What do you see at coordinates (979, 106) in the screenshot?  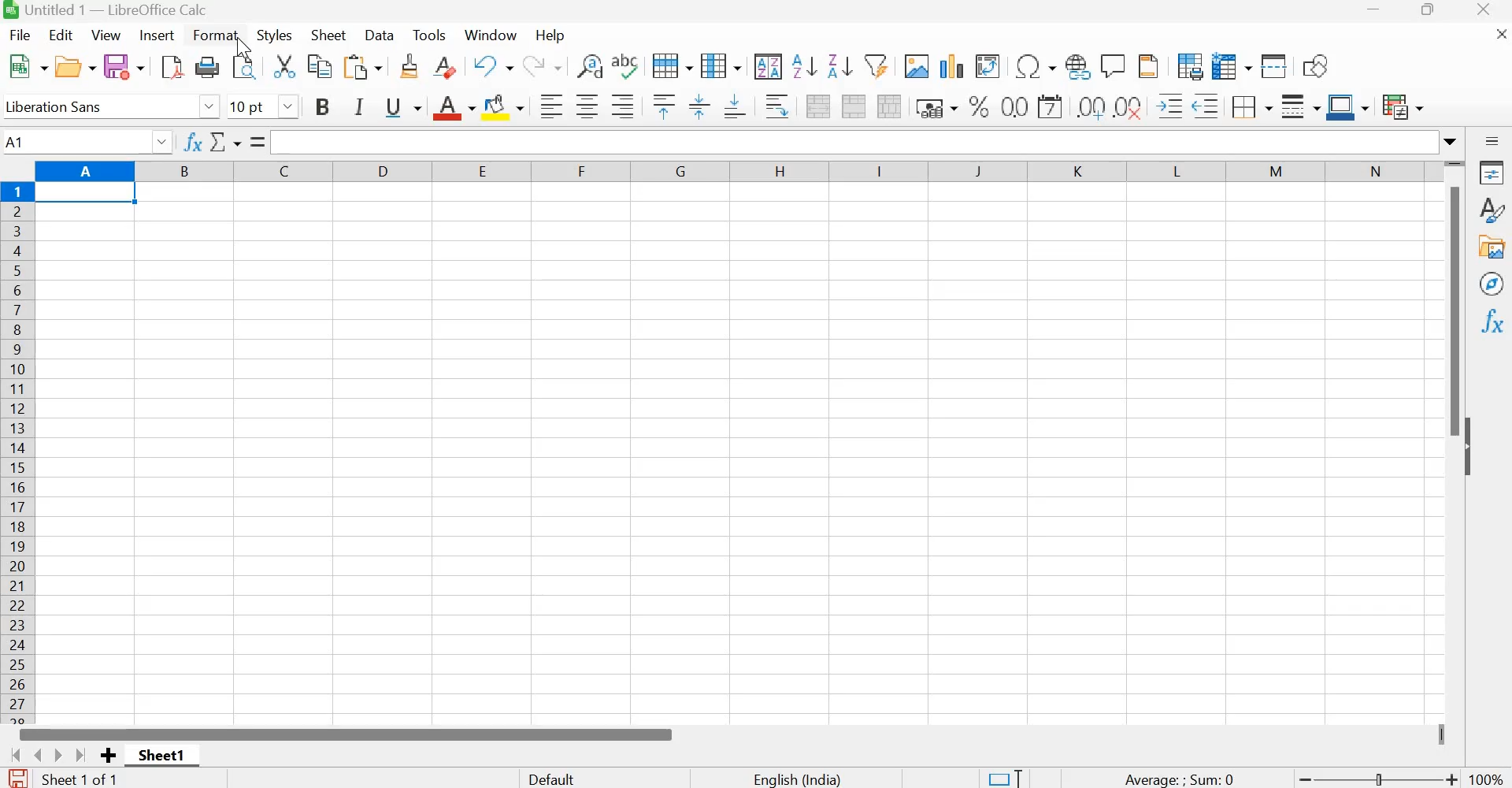 I see `Format as percent` at bounding box center [979, 106].